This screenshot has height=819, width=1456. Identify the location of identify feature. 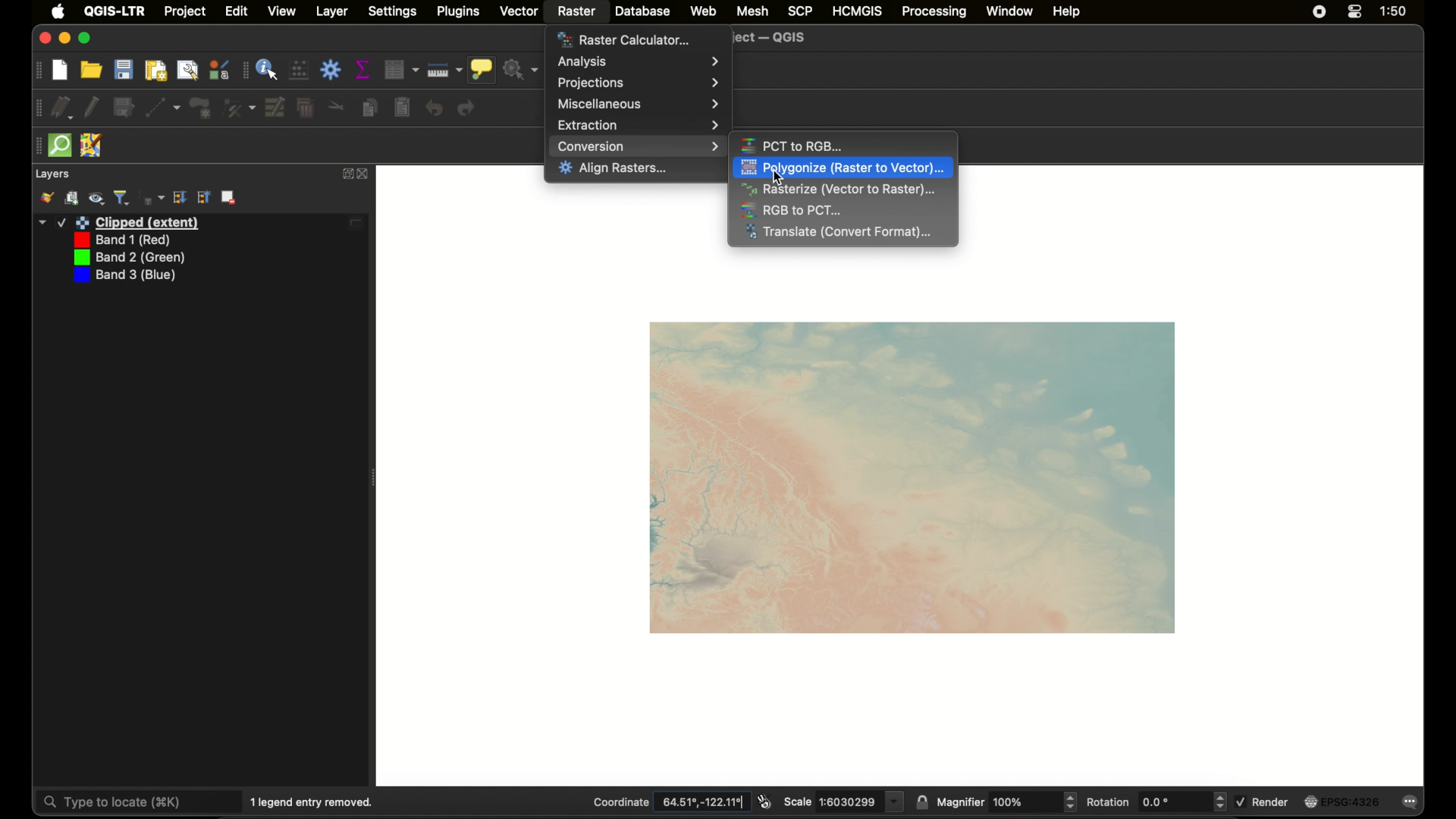
(268, 69).